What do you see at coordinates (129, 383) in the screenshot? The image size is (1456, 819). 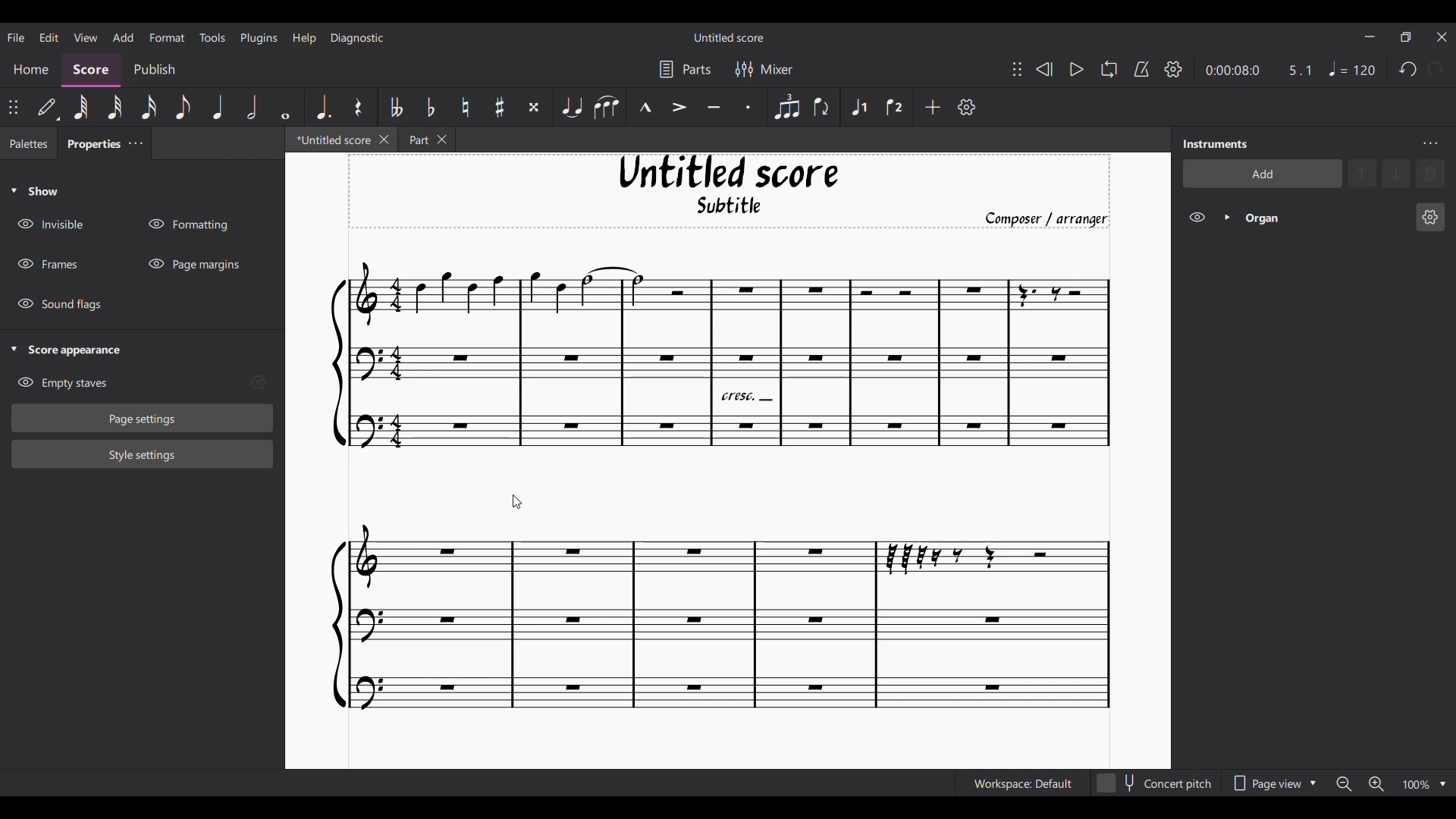 I see `Hide Empty staves` at bounding box center [129, 383].